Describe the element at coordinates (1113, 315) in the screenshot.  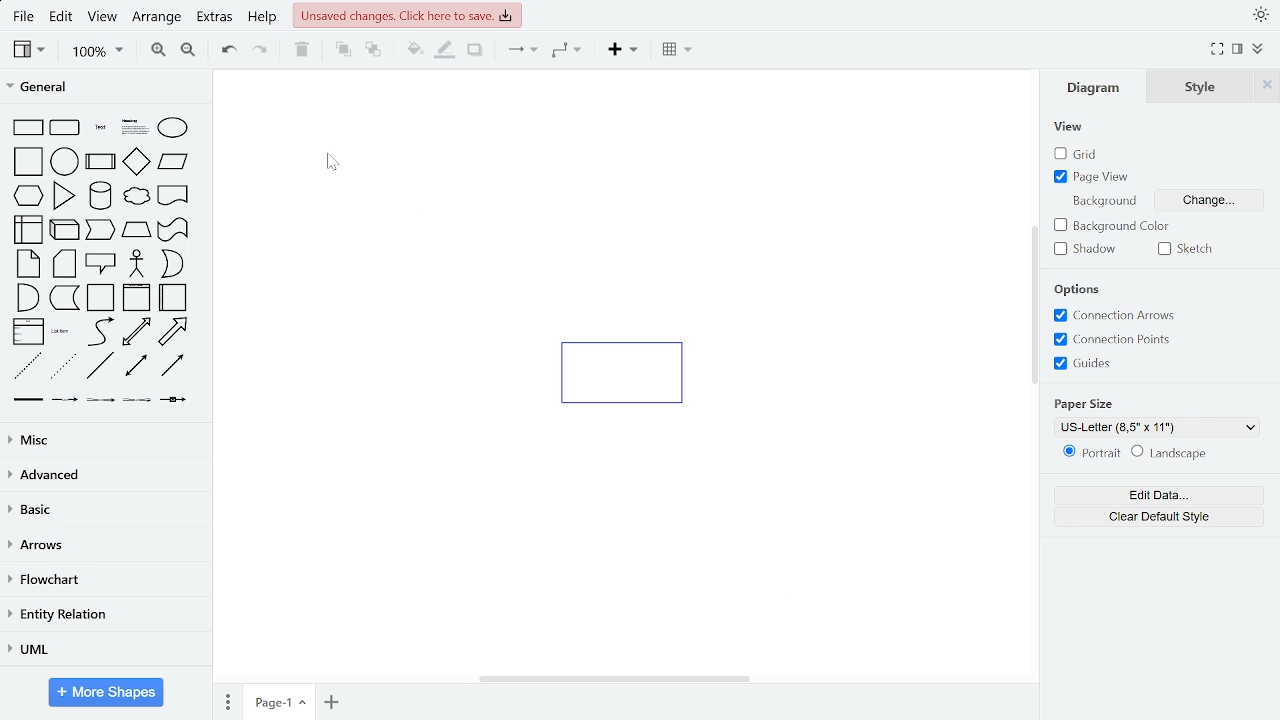
I see `connection arrow` at that location.